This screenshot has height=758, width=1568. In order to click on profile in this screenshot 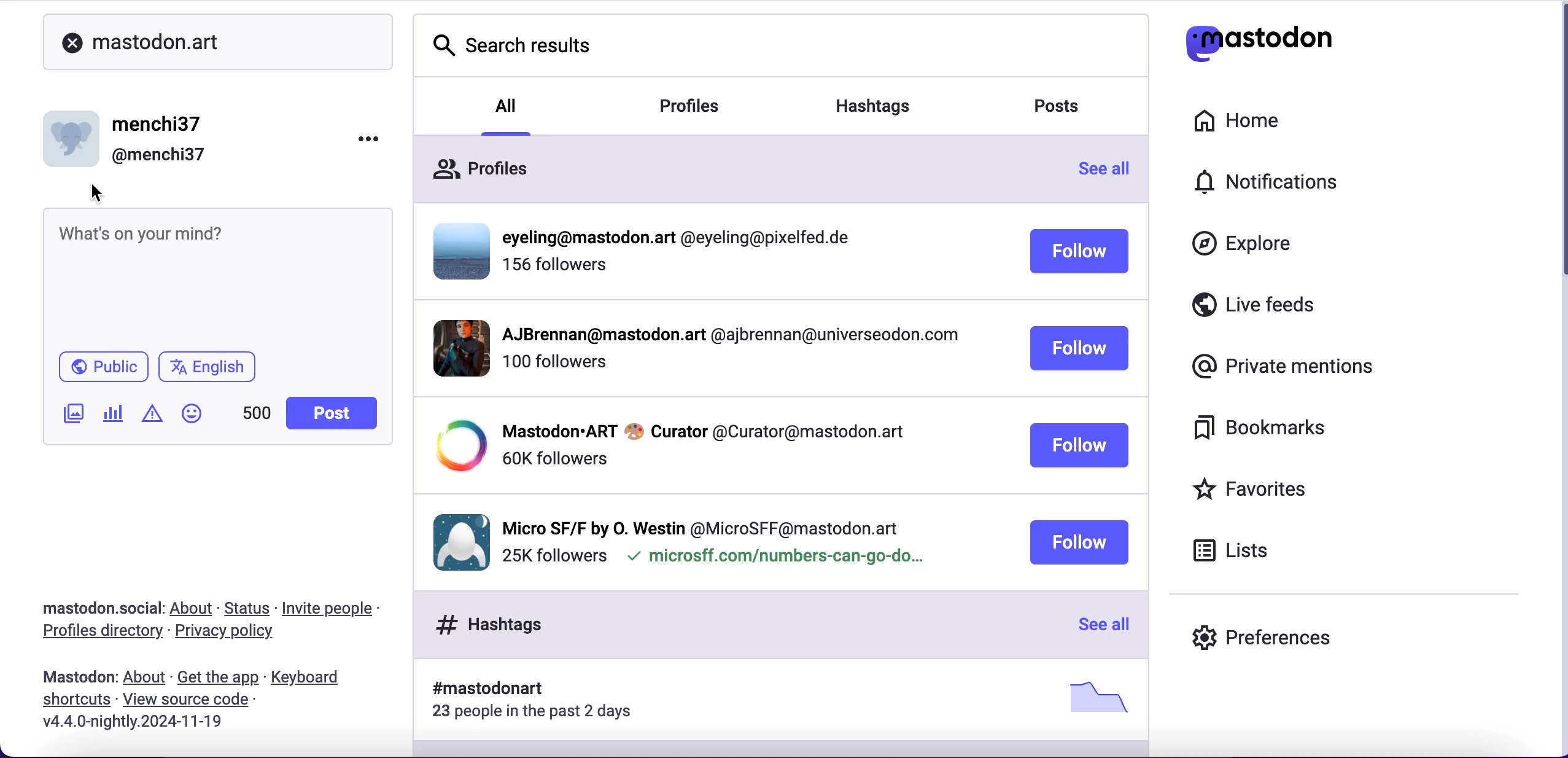, I will do `click(679, 446)`.